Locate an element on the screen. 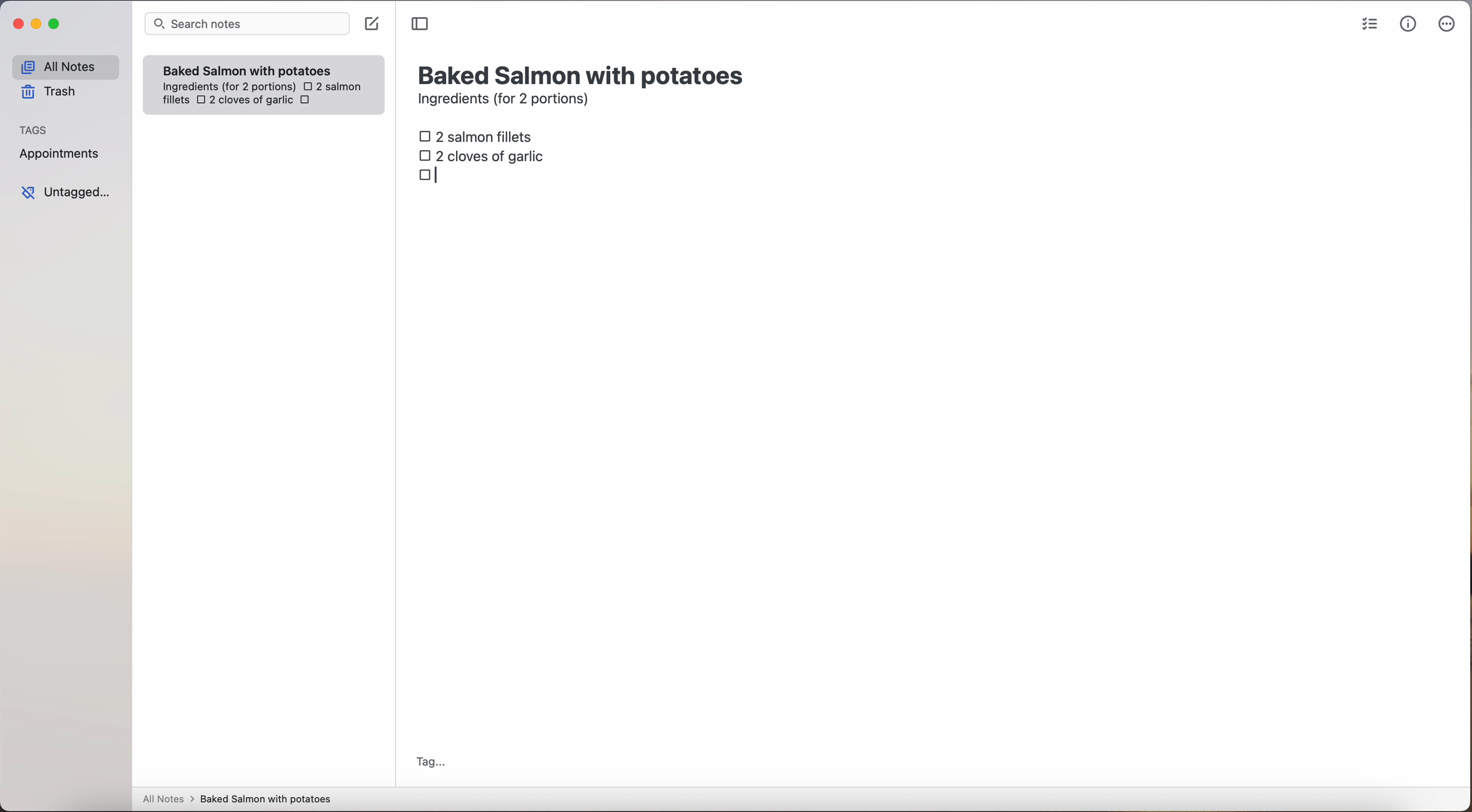  checkbox is located at coordinates (307, 102).